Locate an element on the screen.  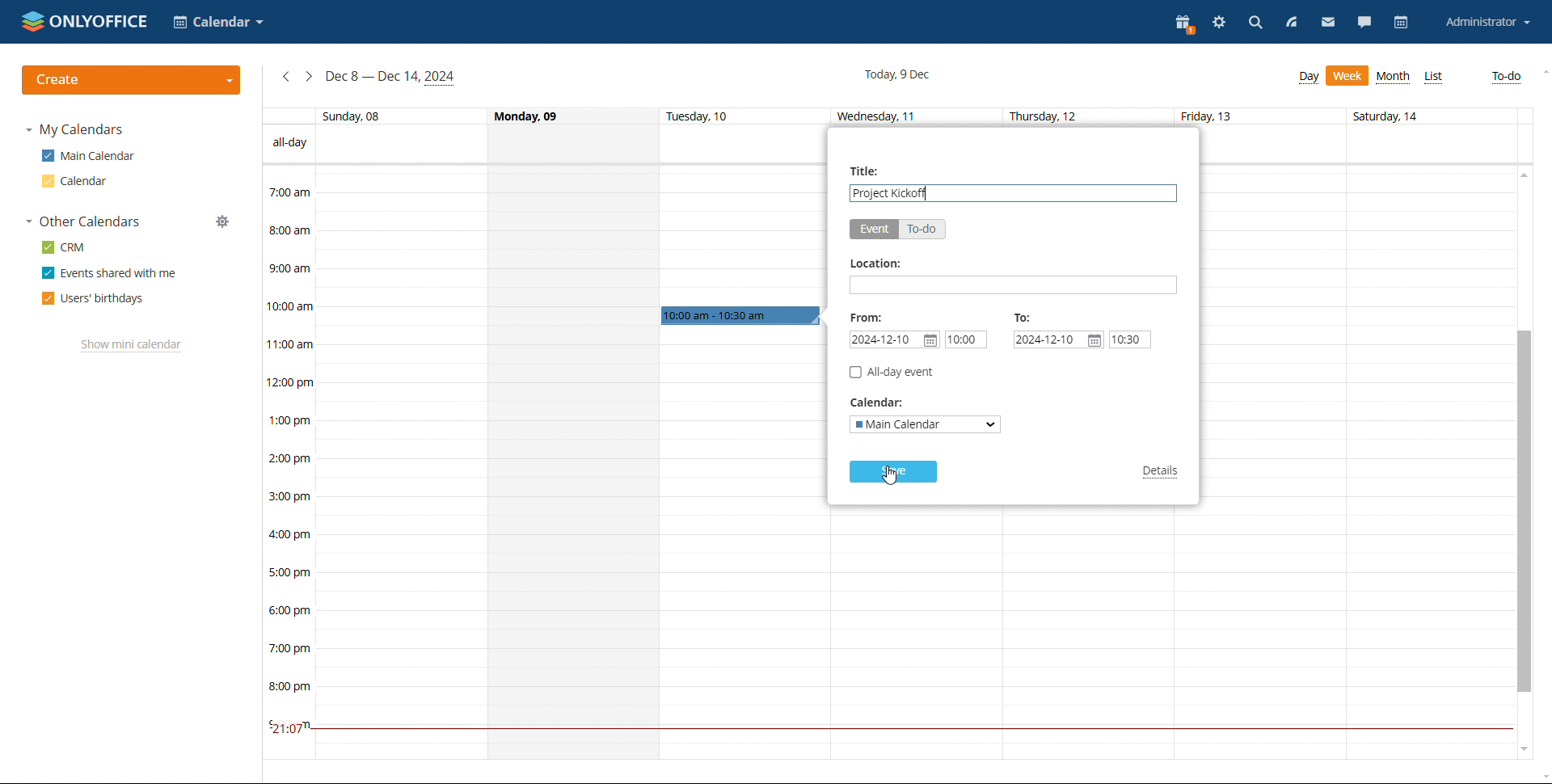
present is located at coordinates (1186, 25).